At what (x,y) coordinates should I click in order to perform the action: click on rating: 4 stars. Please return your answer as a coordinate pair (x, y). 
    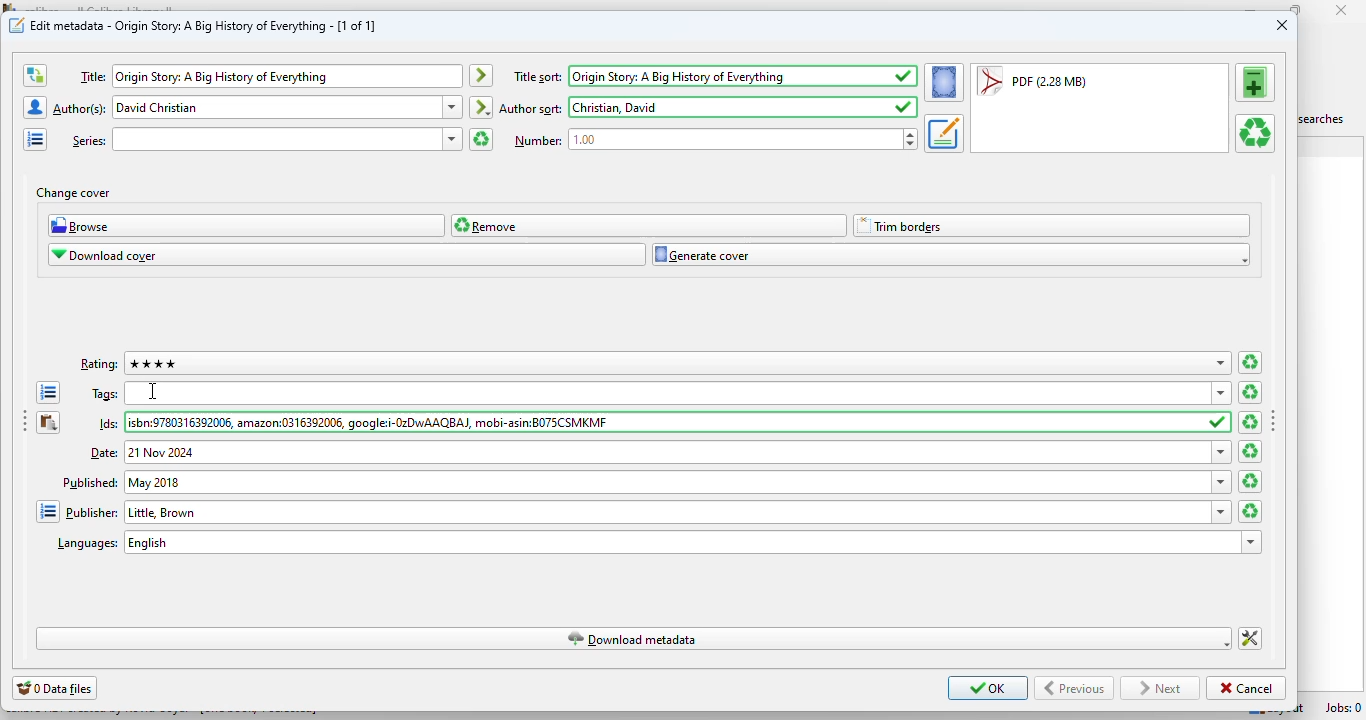
    Looking at the image, I should click on (665, 363).